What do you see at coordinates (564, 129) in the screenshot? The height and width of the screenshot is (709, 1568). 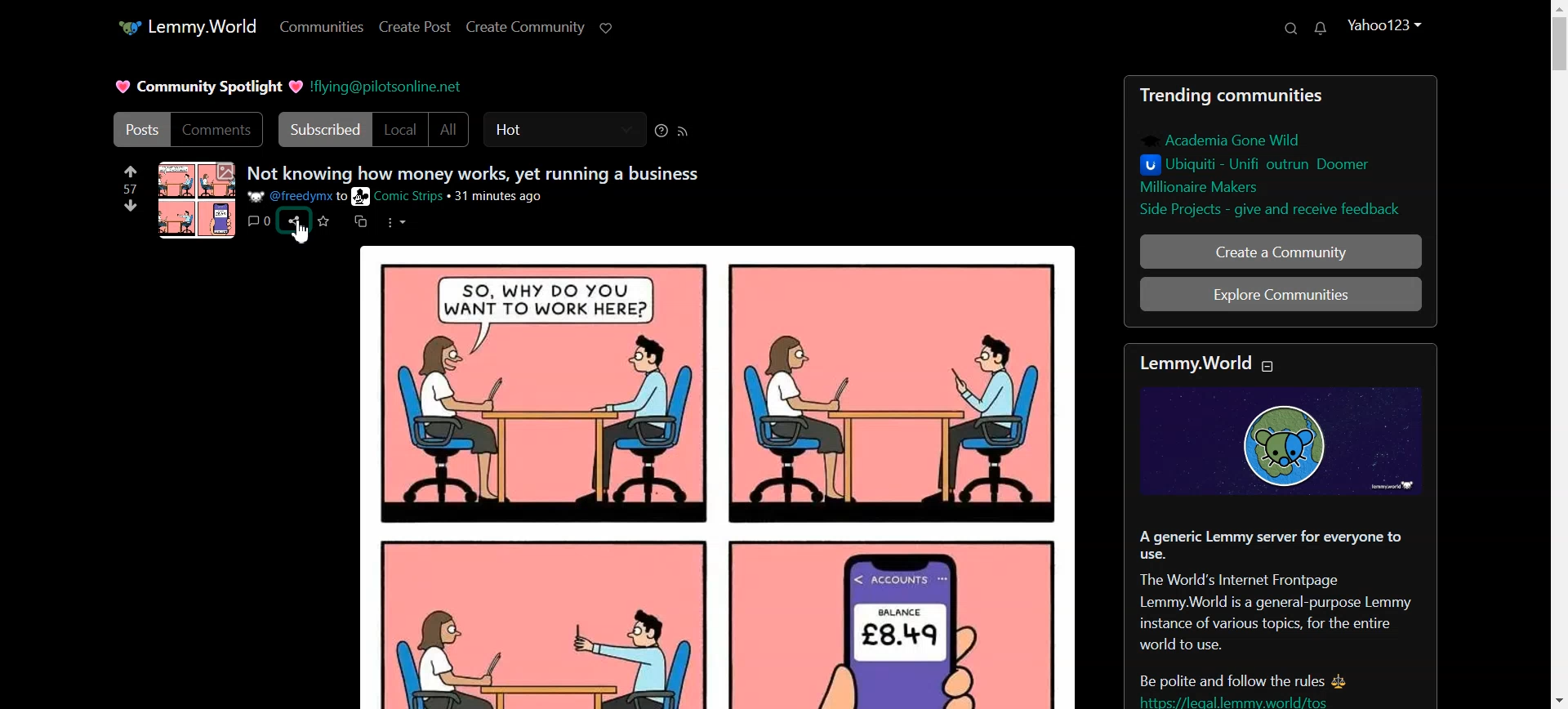 I see `Hot` at bounding box center [564, 129].